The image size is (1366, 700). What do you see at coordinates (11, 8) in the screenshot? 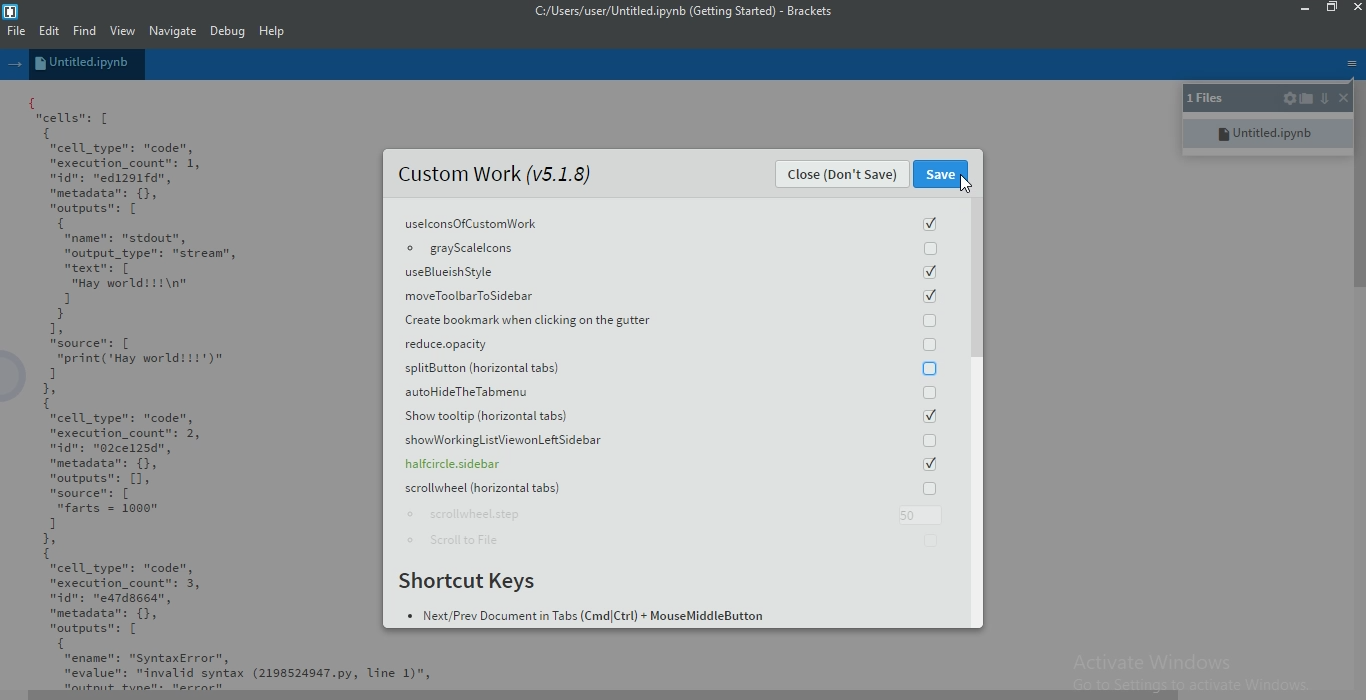
I see `logo` at bounding box center [11, 8].